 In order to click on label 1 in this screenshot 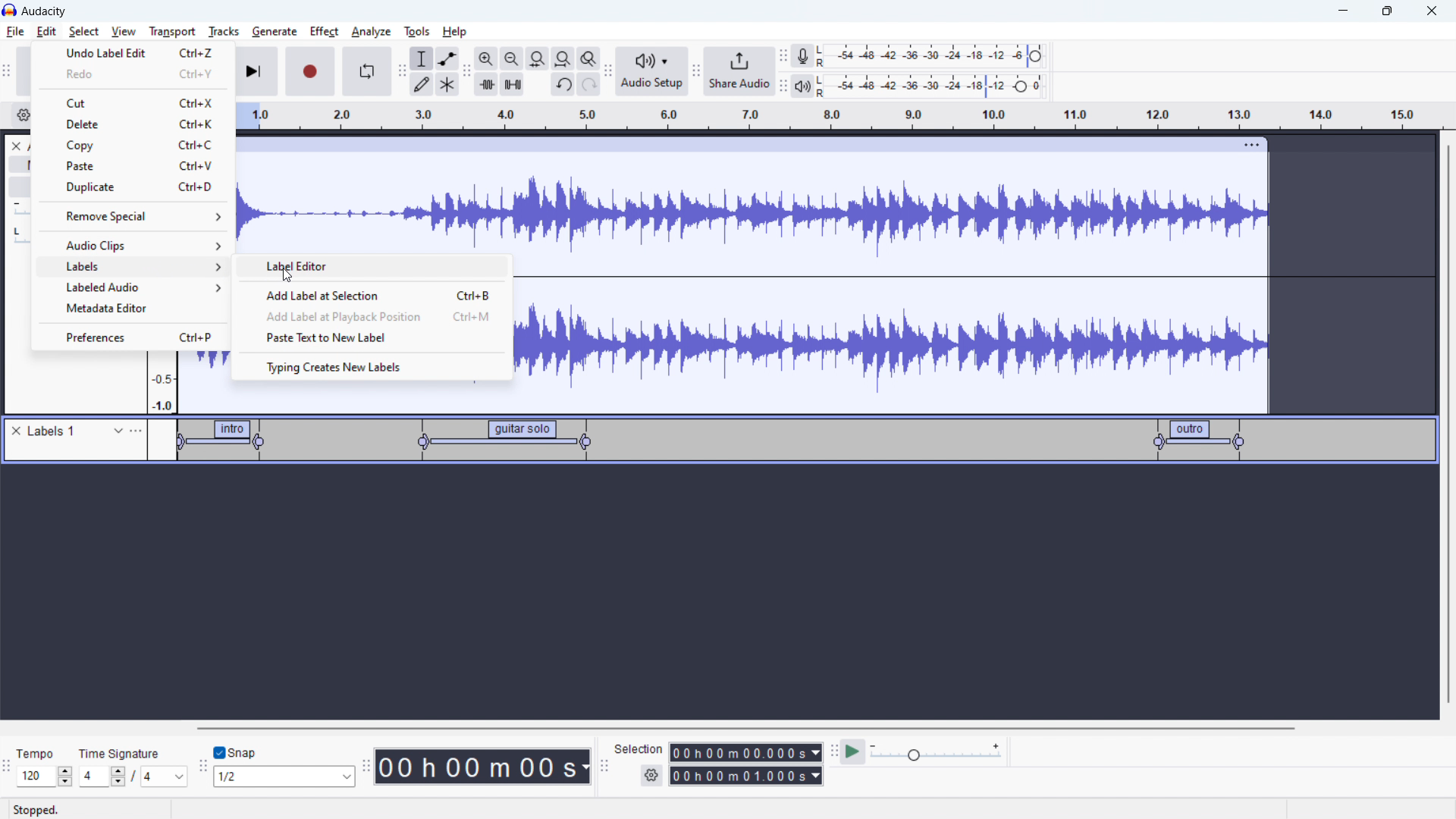, I will do `click(224, 442)`.